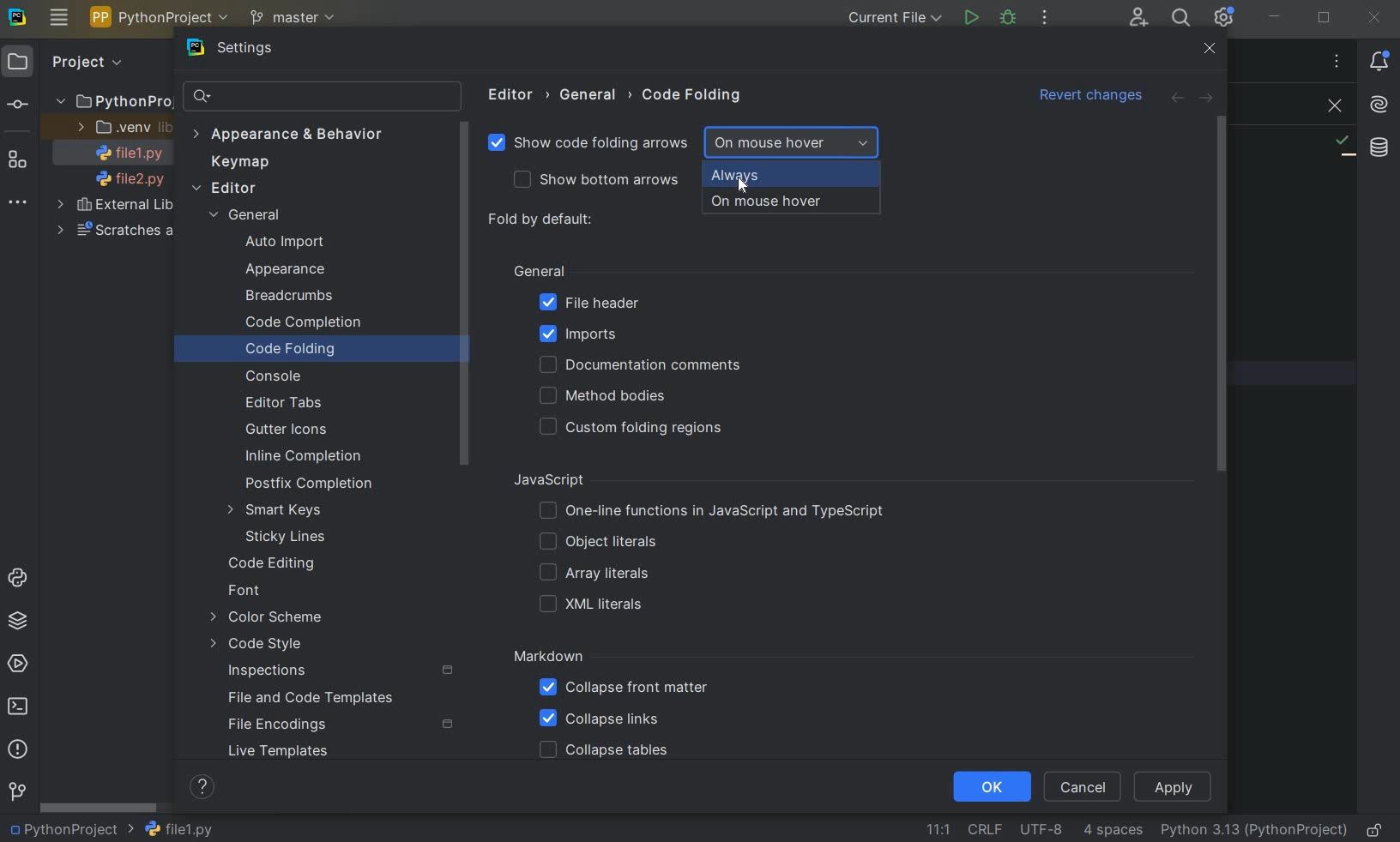 Image resolution: width=1400 pixels, height=842 pixels. Describe the element at coordinates (287, 536) in the screenshot. I see `STICKY LINES` at that location.